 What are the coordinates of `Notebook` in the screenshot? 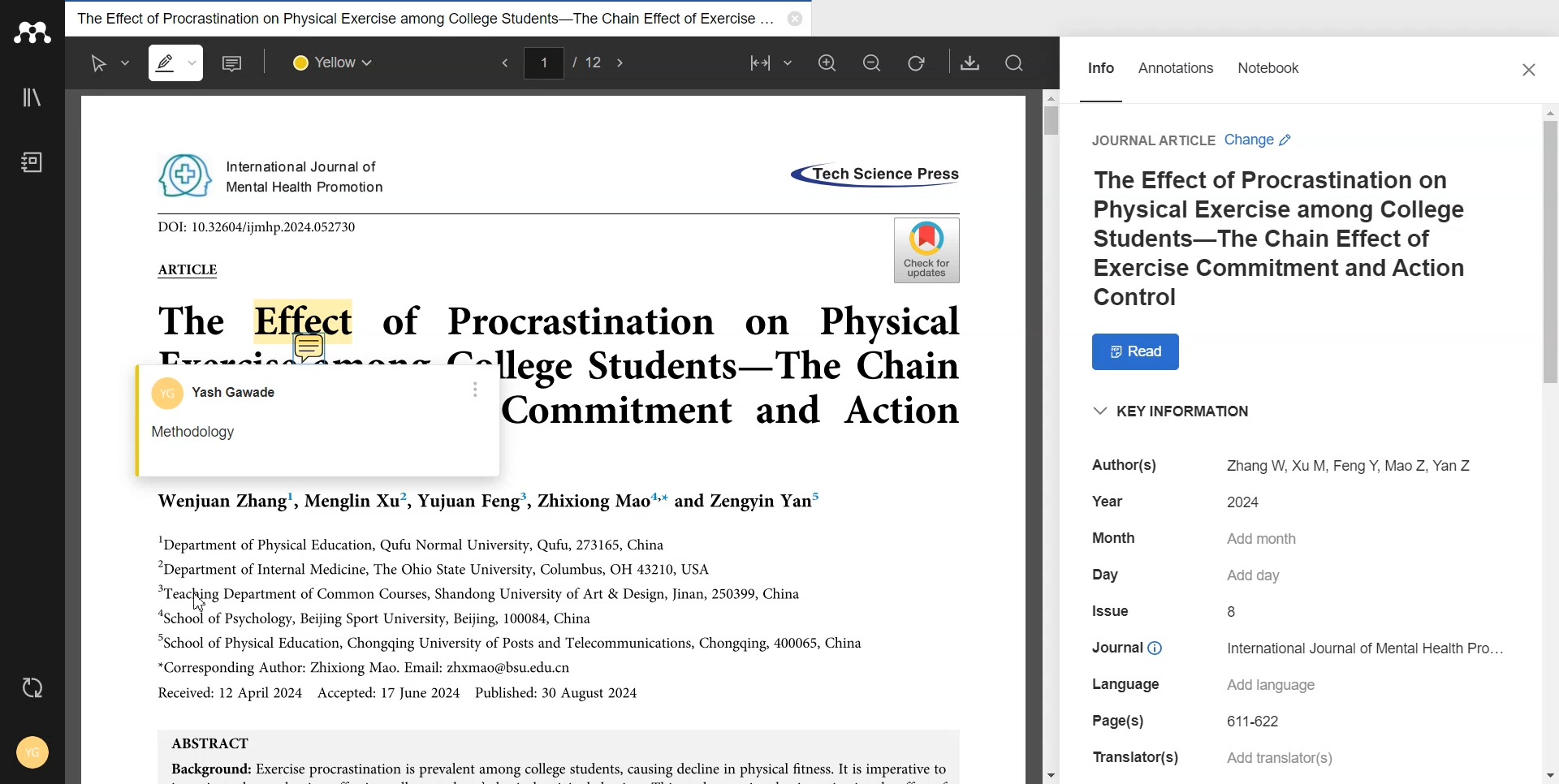 It's located at (32, 162).